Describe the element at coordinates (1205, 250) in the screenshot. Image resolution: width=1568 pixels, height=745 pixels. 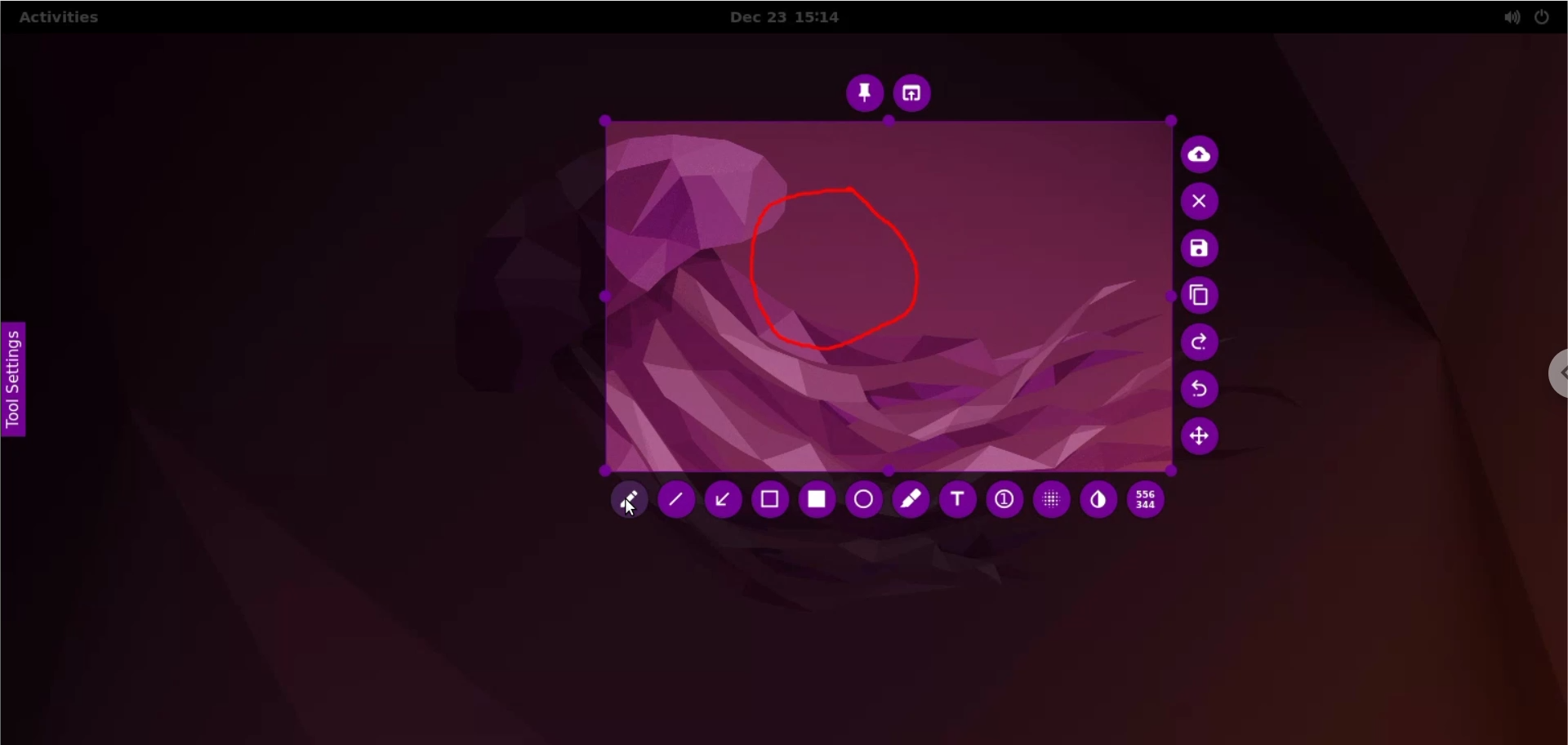
I see `save` at that location.